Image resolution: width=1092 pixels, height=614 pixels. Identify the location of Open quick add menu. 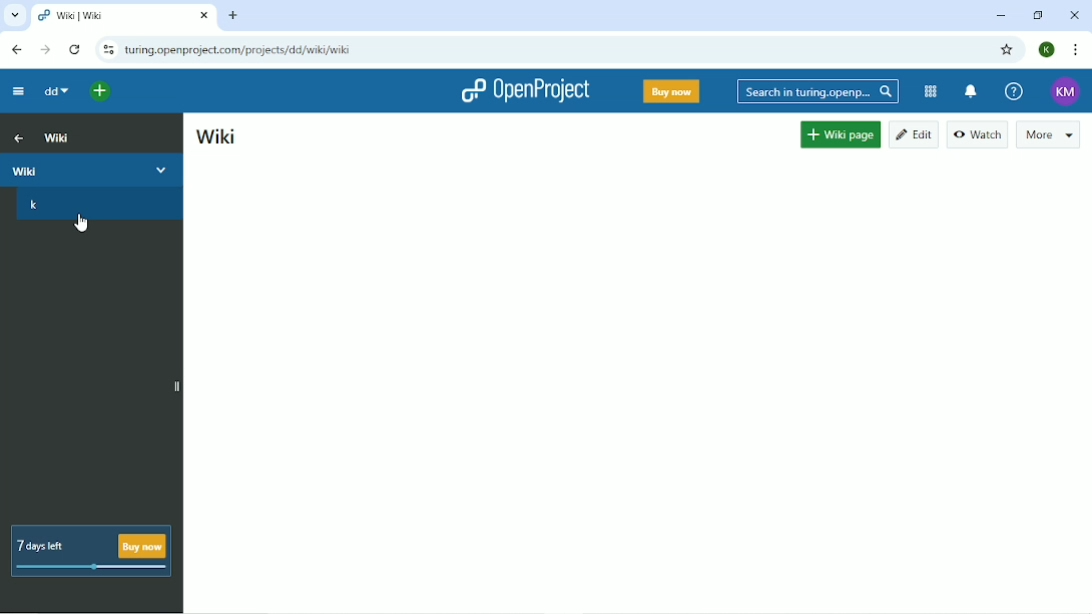
(97, 90).